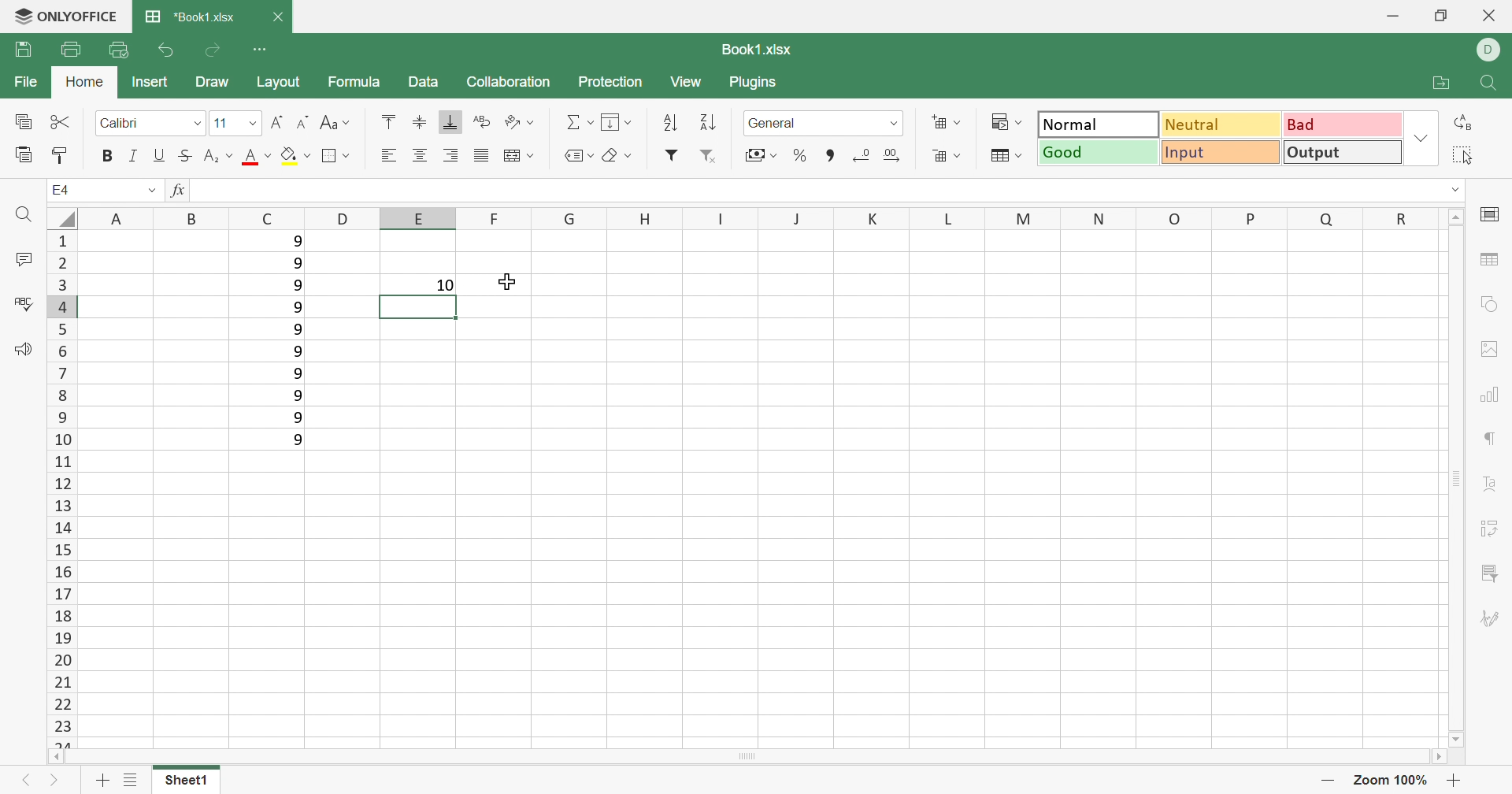 This screenshot has height=794, width=1512. Describe the element at coordinates (22, 301) in the screenshot. I see `Check Spelling` at that location.